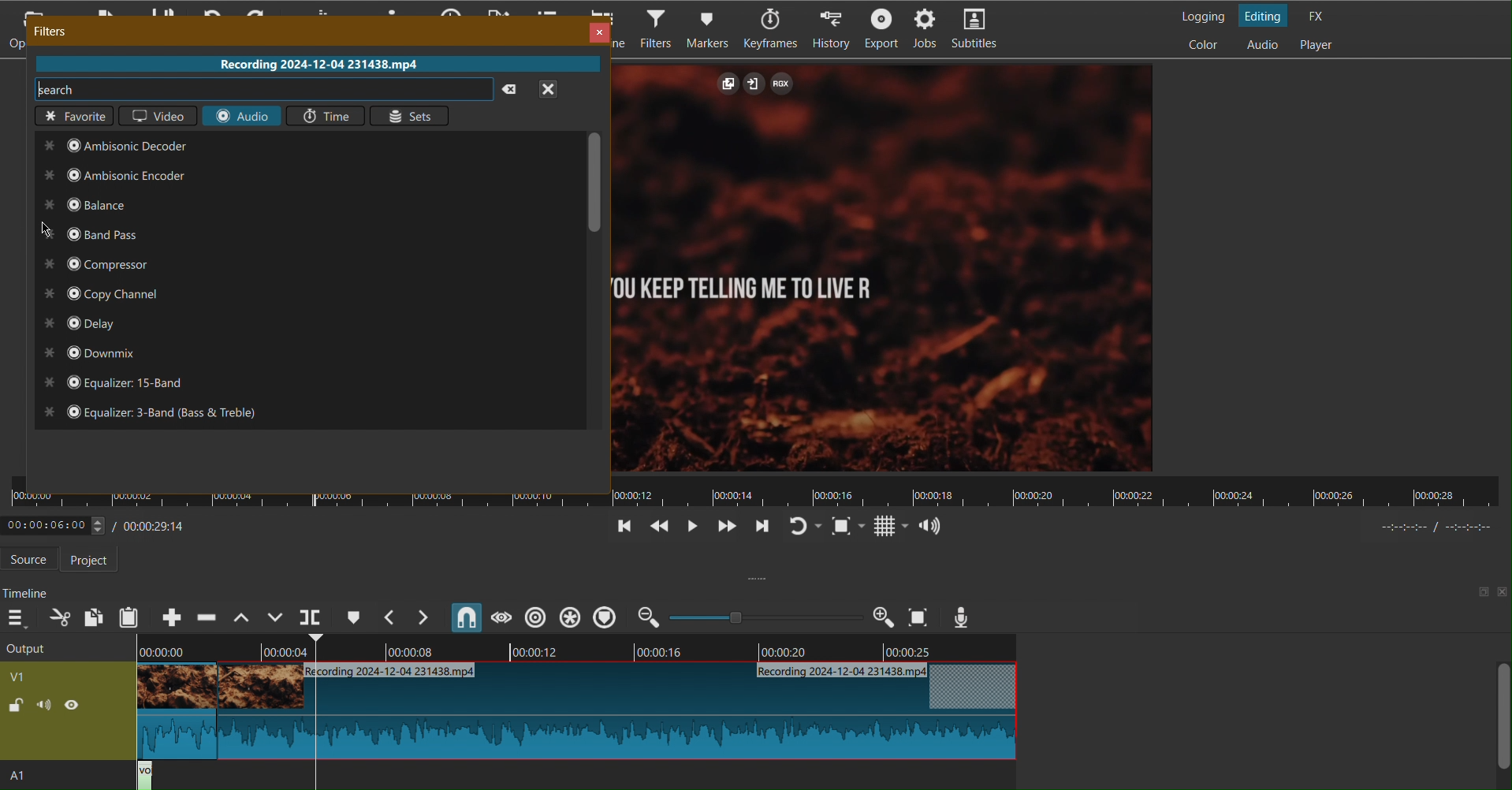 This screenshot has width=1512, height=790. Describe the element at coordinates (410, 114) in the screenshot. I see `Sets` at that location.